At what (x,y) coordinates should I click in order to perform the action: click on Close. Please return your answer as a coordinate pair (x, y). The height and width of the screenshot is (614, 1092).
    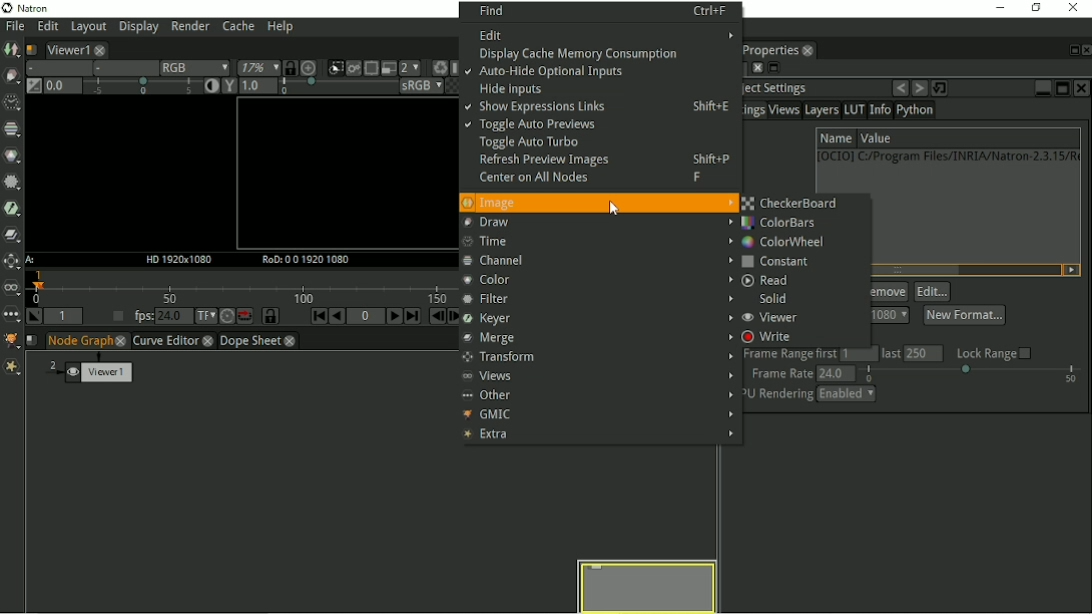
    Looking at the image, I should click on (1085, 50).